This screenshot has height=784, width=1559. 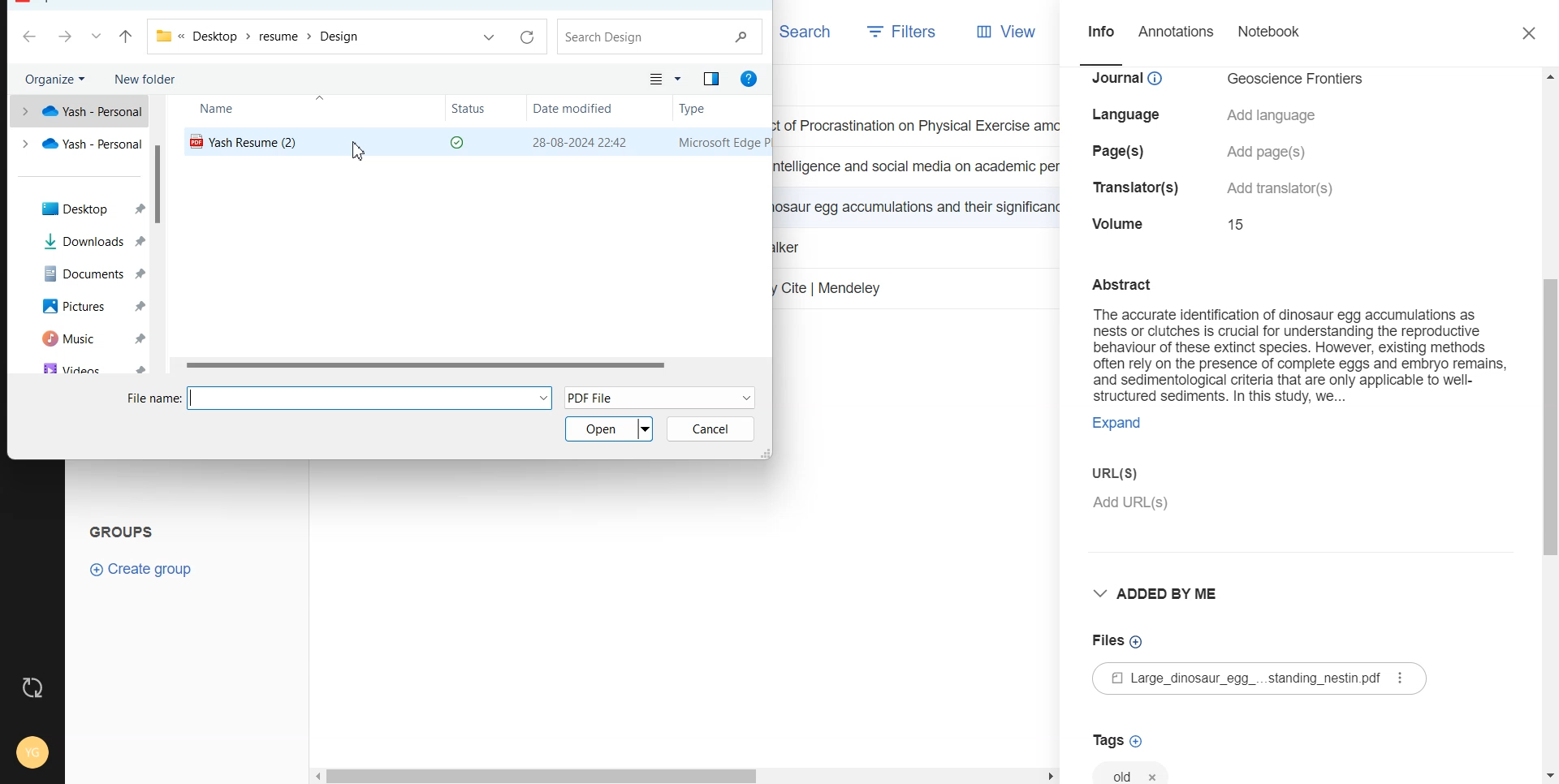 What do you see at coordinates (374, 400) in the screenshot?
I see `File name` at bounding box center [374, 400].